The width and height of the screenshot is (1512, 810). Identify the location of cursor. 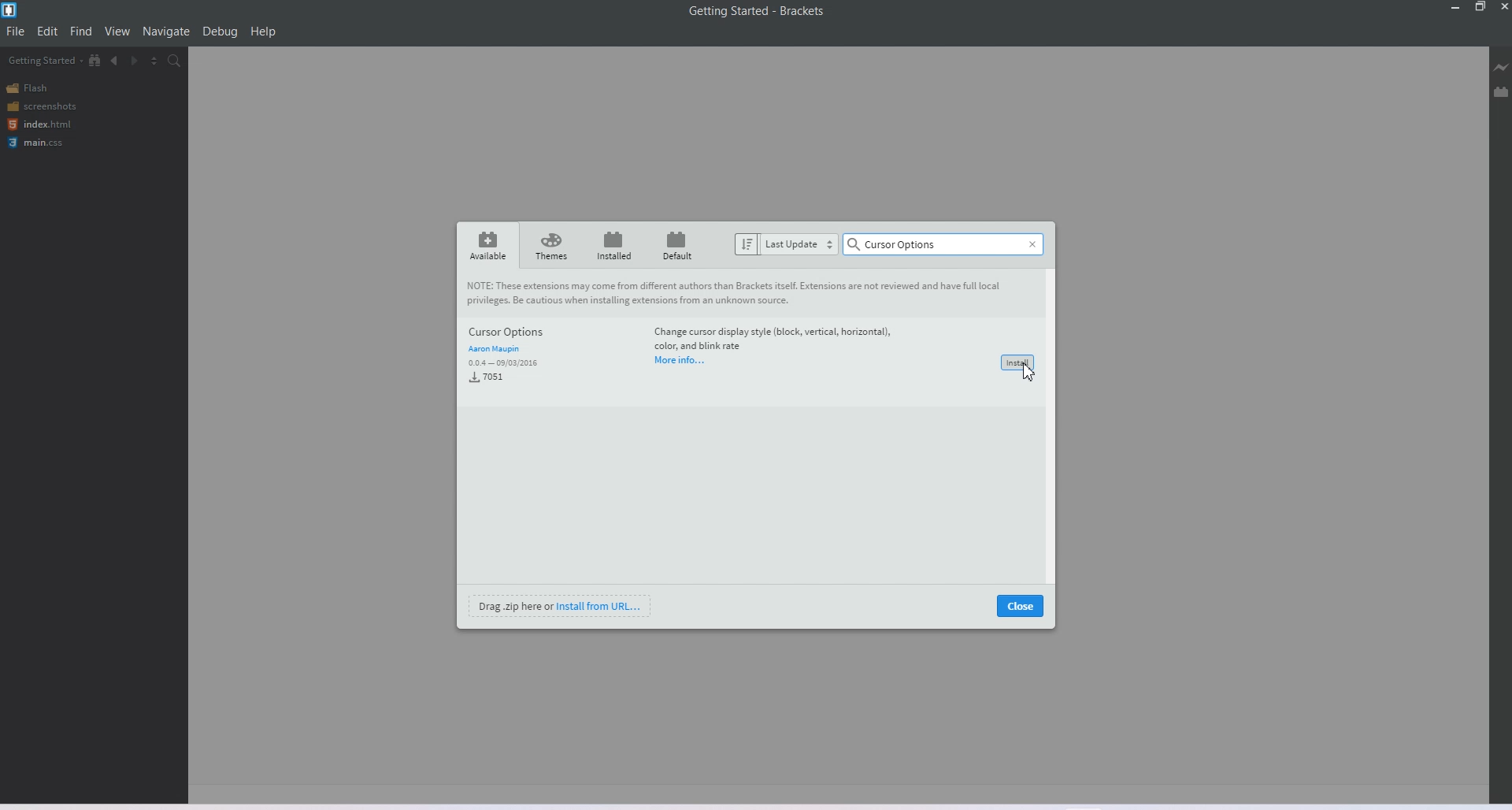
(1028, 374).